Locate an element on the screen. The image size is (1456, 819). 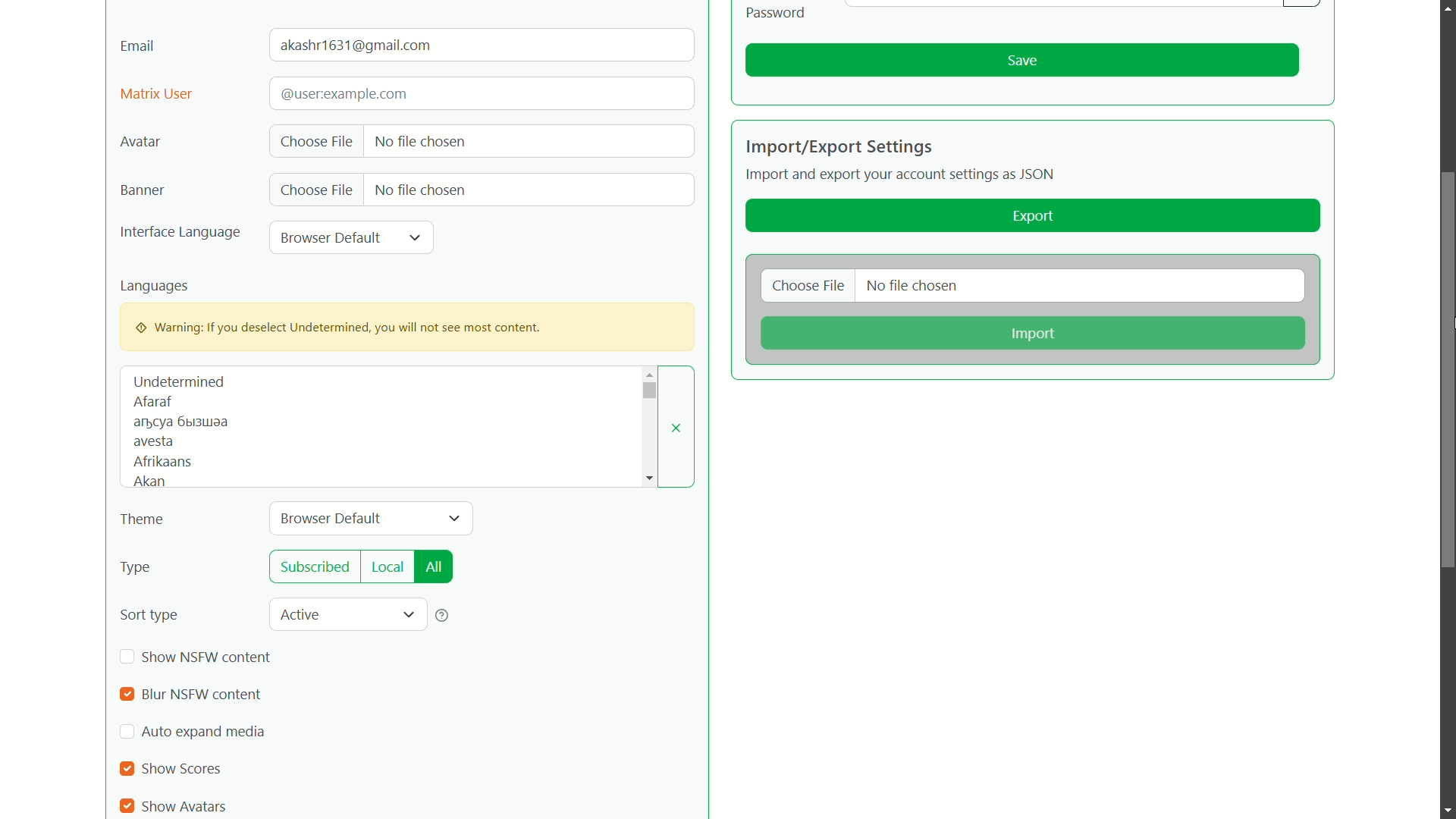
choose file is located at coordinates (809, 287).